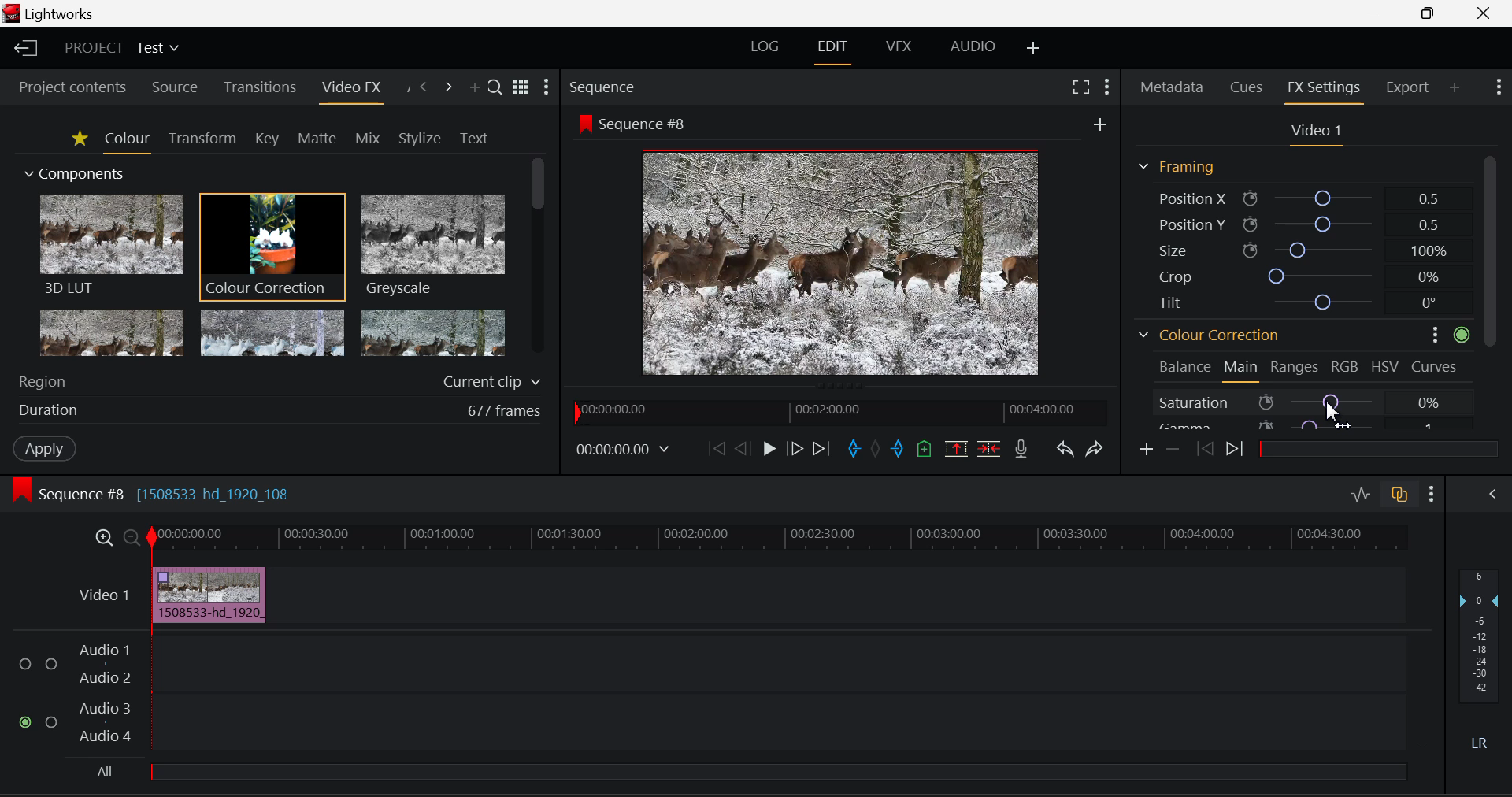 This screenshot has width=1512, height=797. What do you see at coordinates (1431, 13) in the screenshot?
I see `Minimize` at bounding box center [1431, 13].